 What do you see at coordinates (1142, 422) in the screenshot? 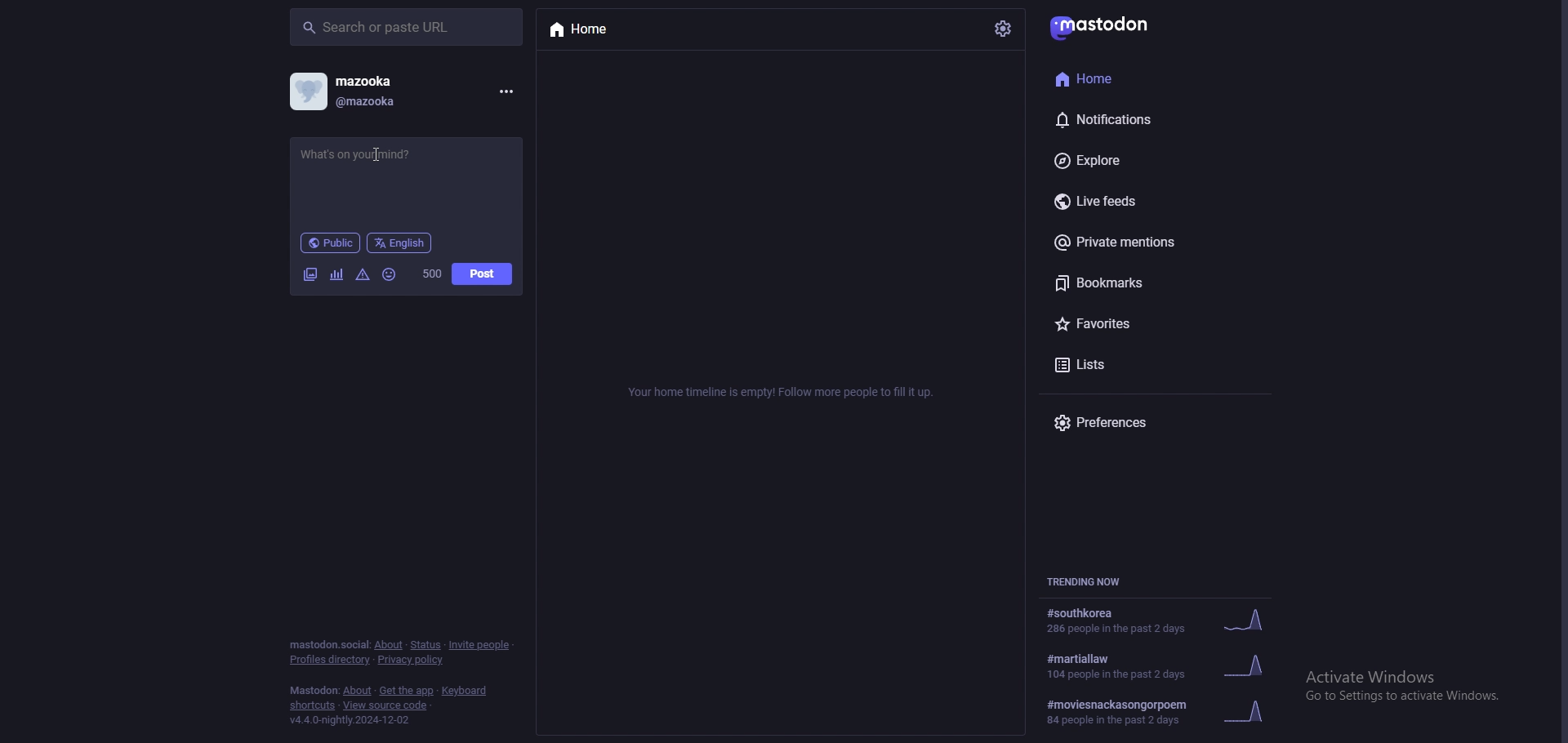
I see `preferences` at bounding box center [1142, 422].